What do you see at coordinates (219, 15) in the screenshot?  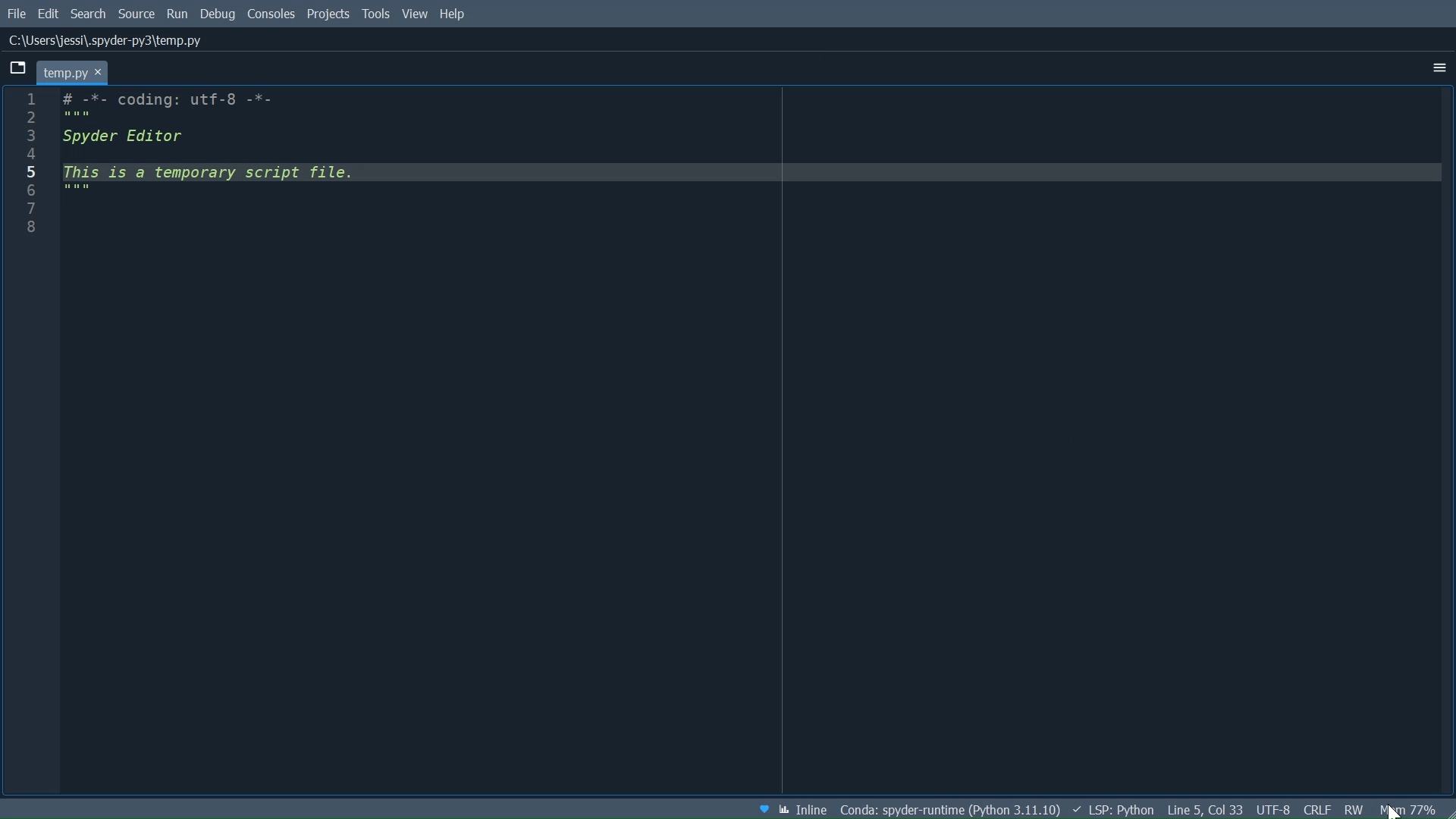 I see `Debug` at bounding box center [219, 15].